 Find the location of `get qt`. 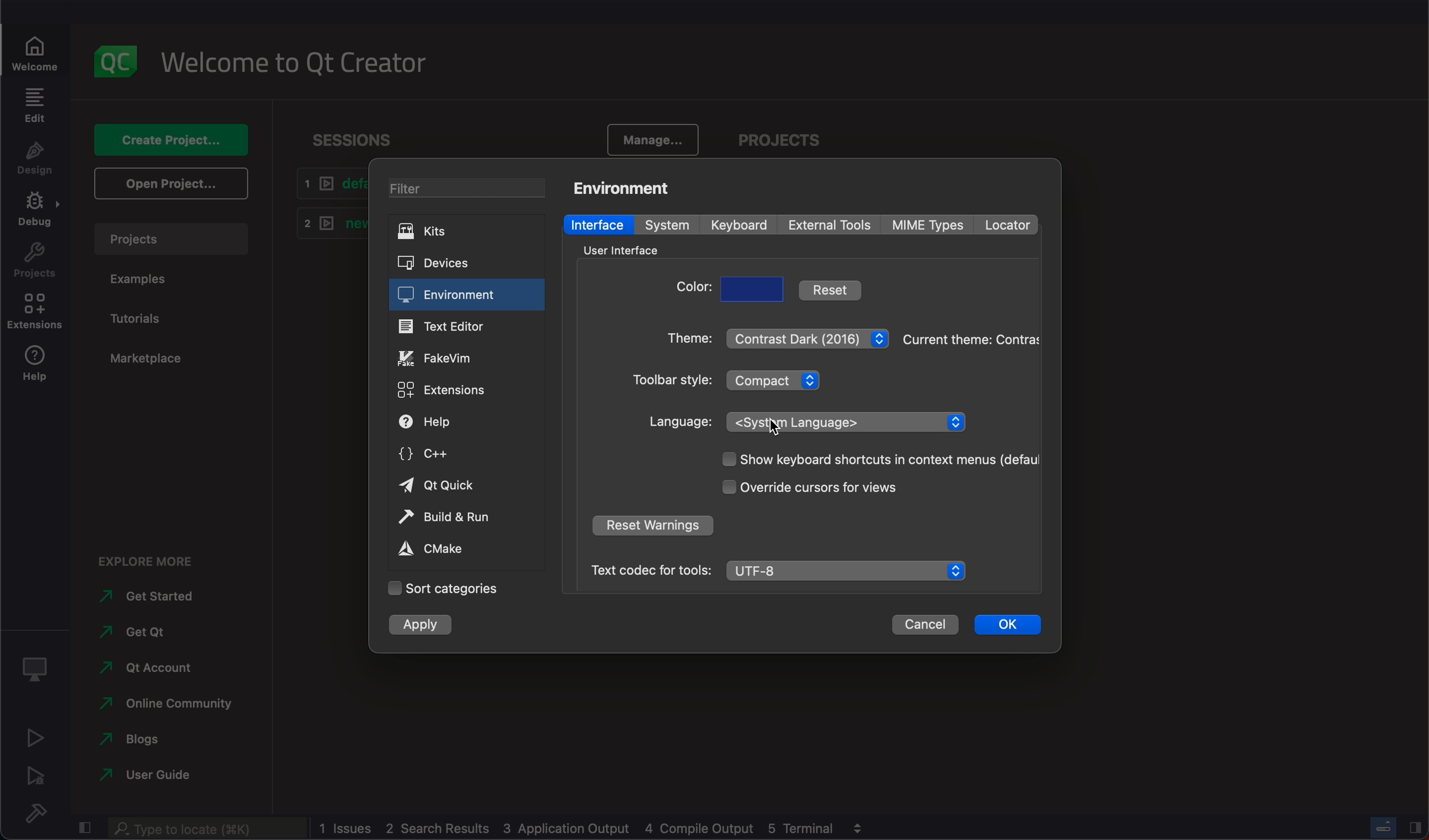

get qt is located at coordinates (139, 632).